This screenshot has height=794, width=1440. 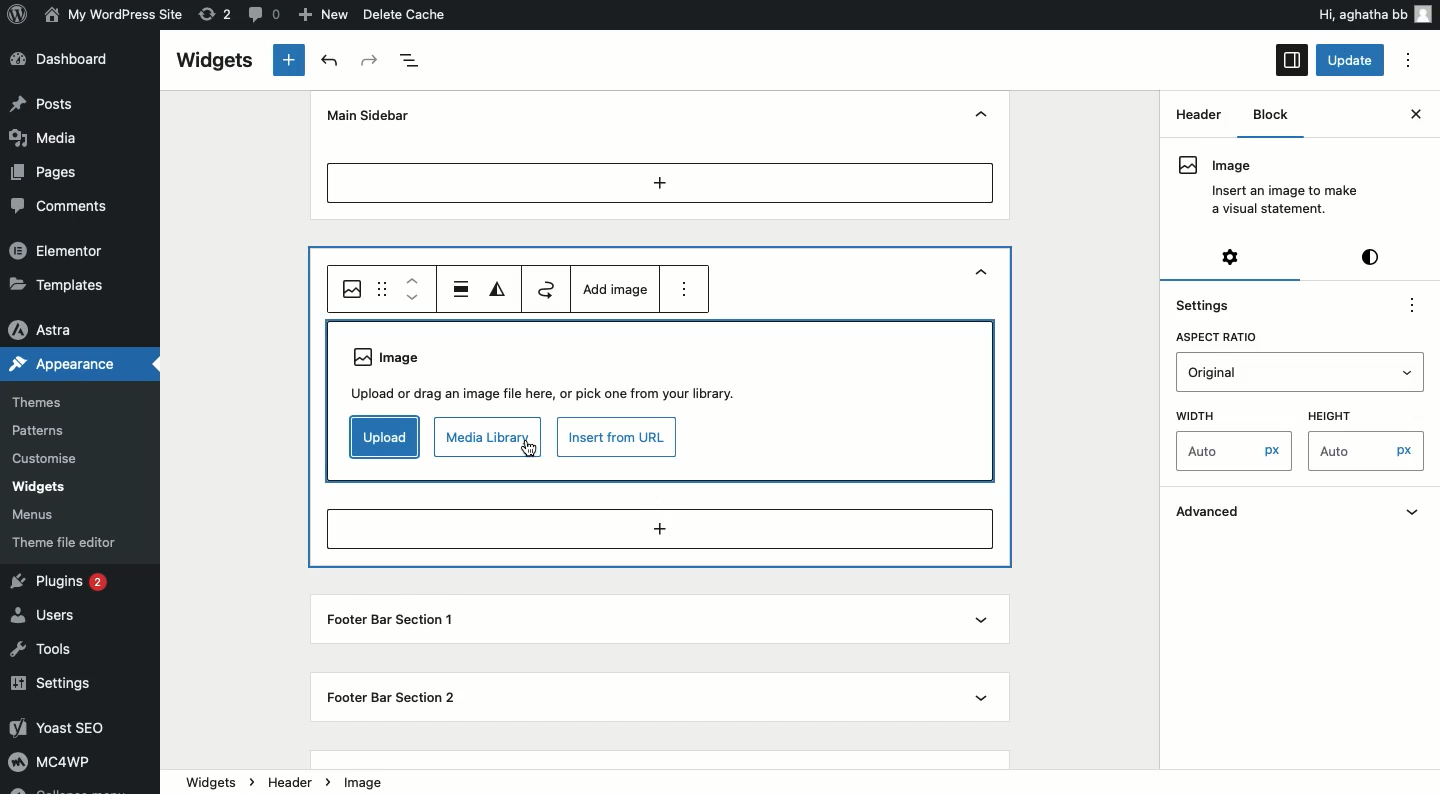 I want to click on Image, so click(x=353, y=289).